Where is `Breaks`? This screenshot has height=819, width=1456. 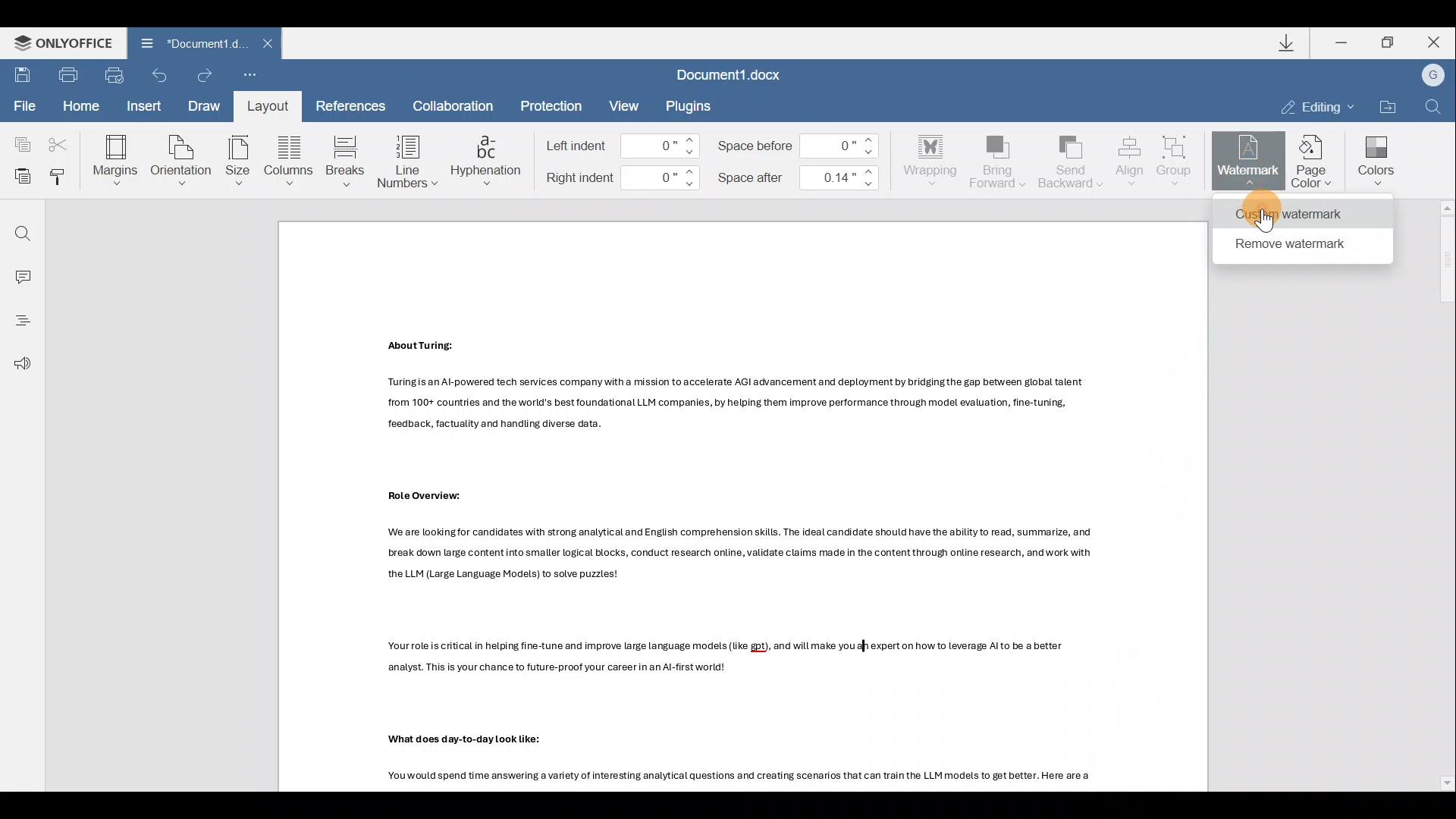
Breaks is located at coordinates (346, 157).